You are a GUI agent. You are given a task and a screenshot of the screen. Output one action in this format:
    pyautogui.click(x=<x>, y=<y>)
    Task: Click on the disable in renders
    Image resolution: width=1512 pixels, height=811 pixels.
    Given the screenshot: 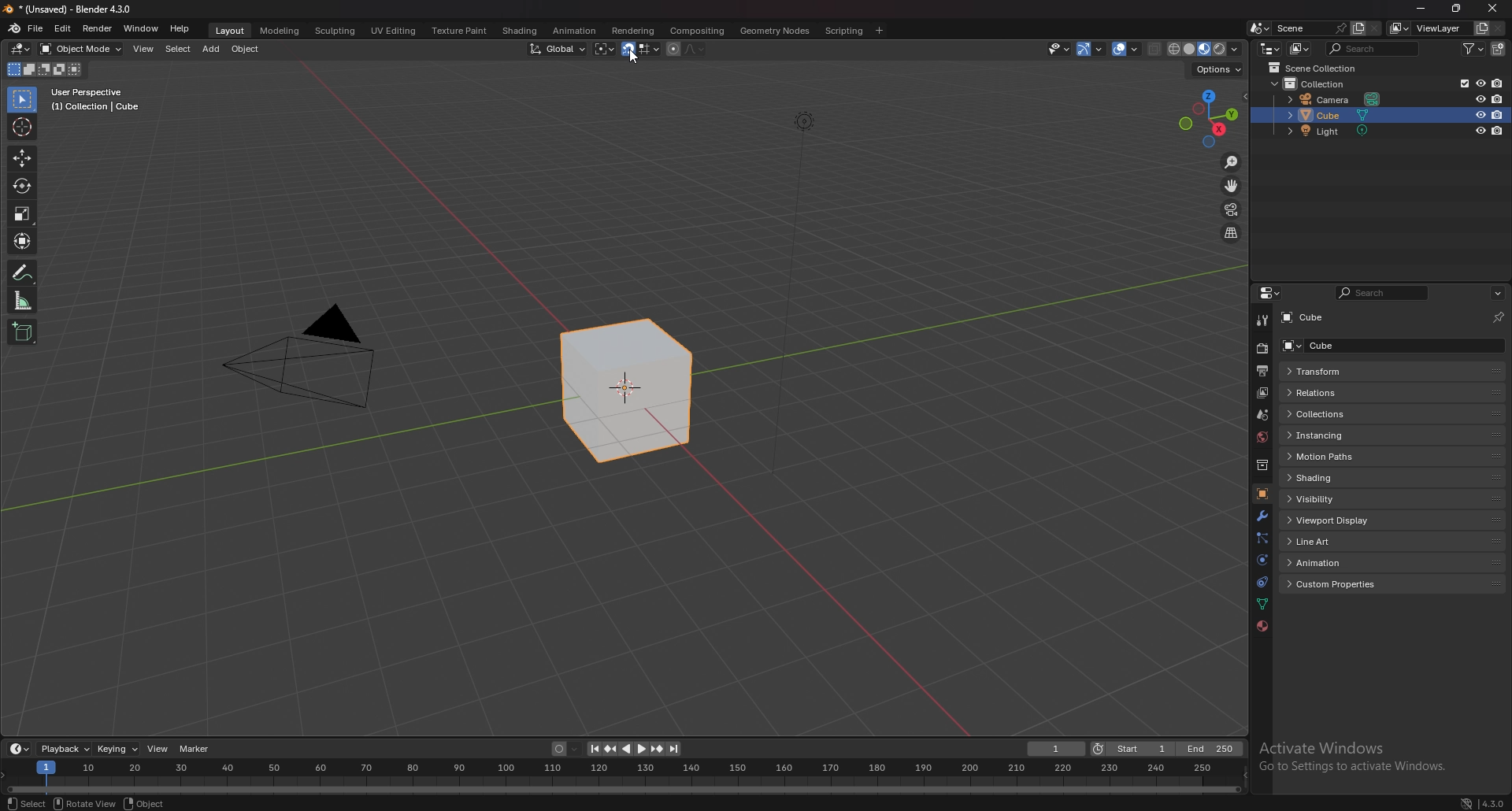 What is the action you would take?
    pyautogui.click(x=1498, y=131)
    